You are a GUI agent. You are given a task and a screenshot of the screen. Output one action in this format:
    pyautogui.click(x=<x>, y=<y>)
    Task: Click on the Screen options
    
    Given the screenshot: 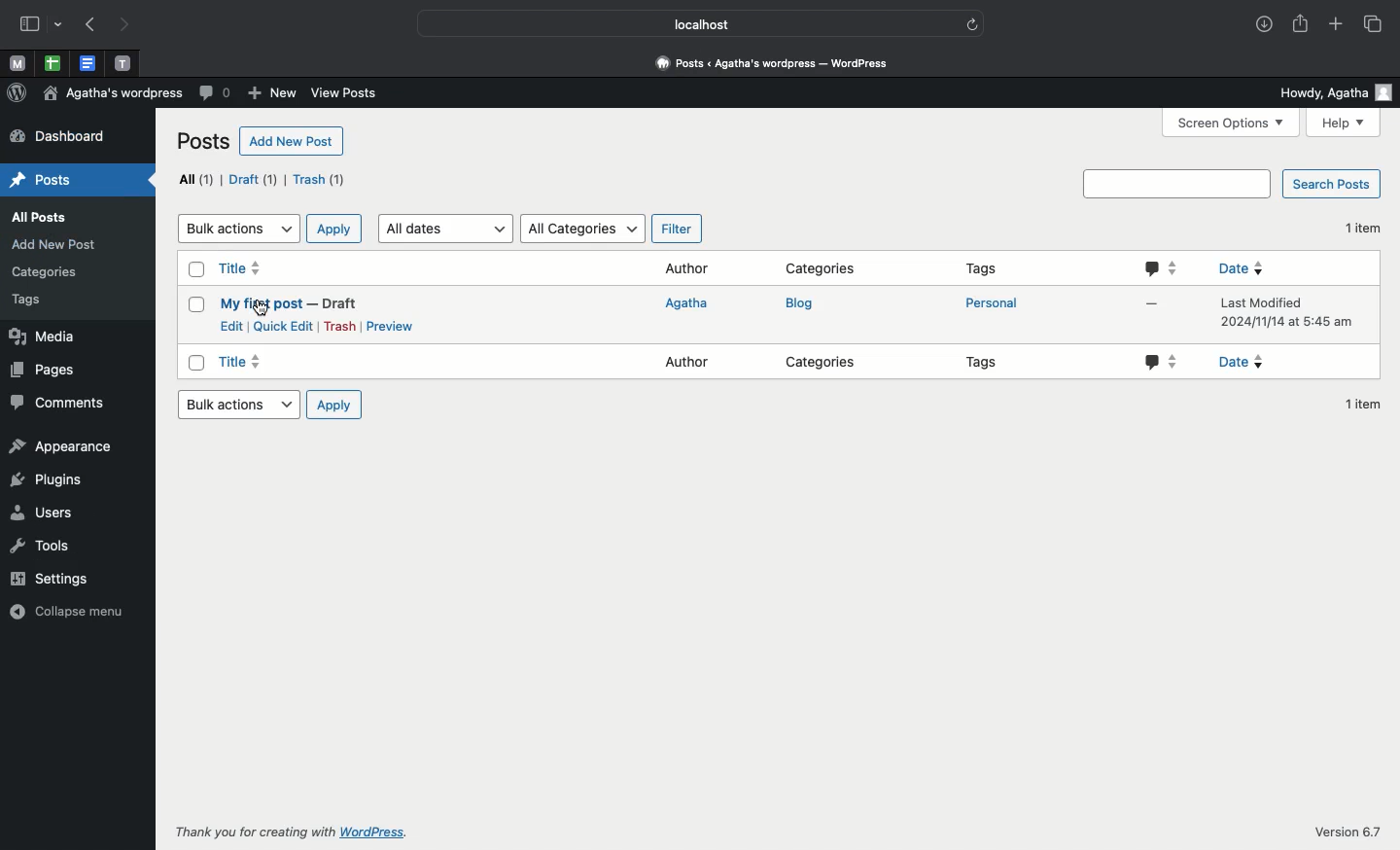 What is the action you would take?
    pyautogui.click(x=1230, y=123)
    